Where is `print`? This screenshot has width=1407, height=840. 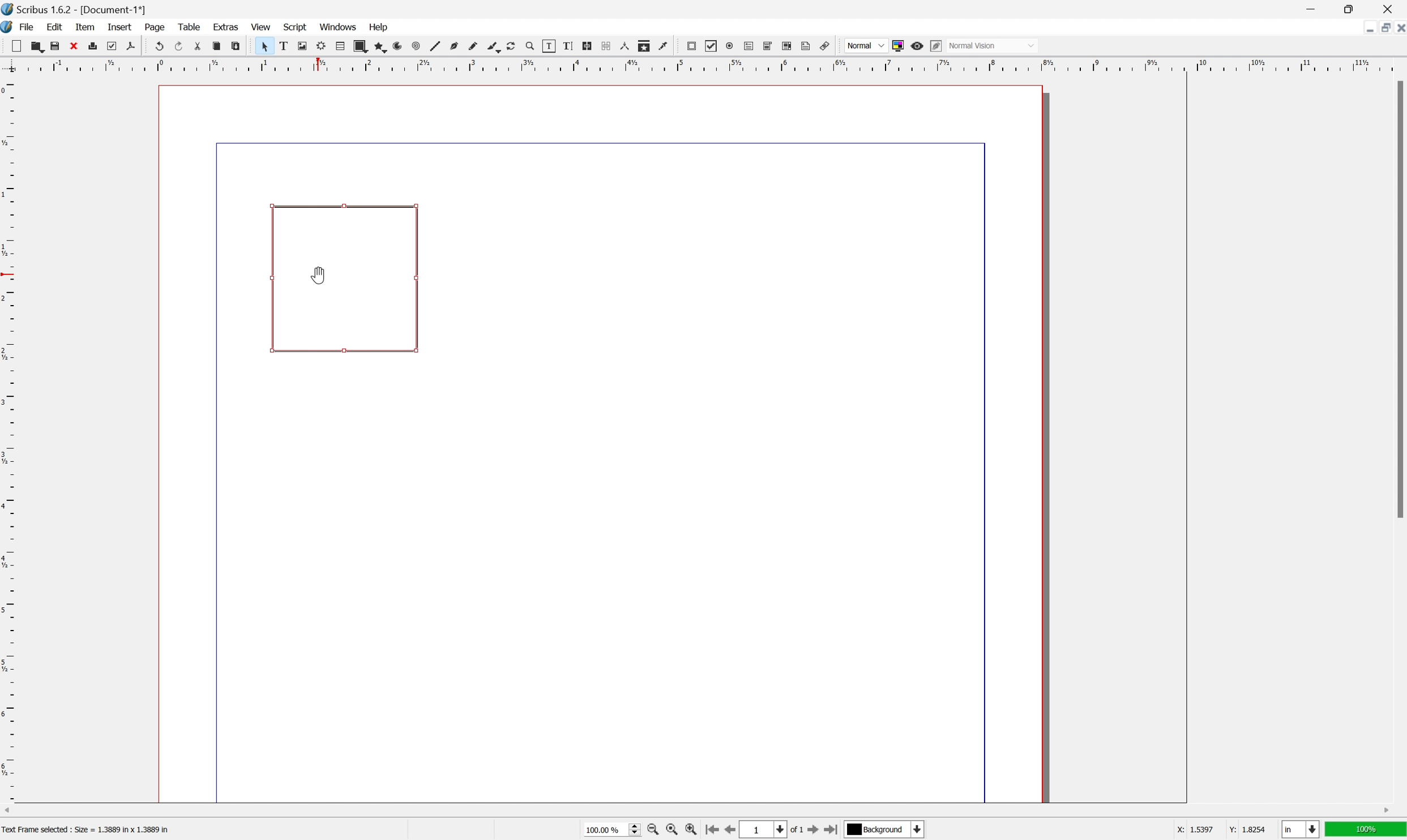 print is located at coordinates (93, 45).